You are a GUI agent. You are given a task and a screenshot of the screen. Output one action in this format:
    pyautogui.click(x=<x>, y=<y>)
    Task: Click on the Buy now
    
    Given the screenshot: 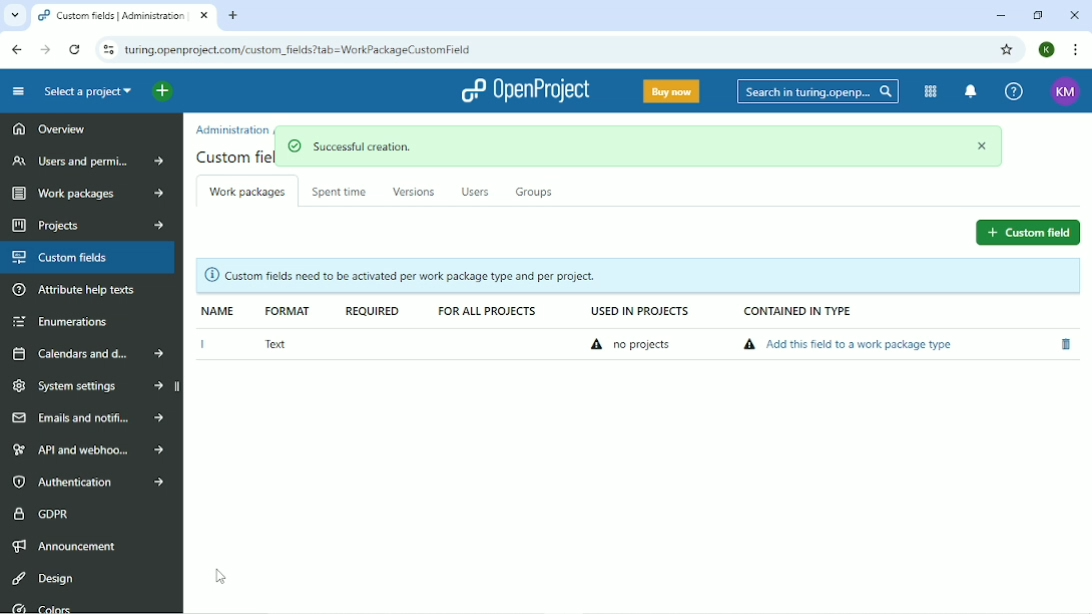 What is the action you would take?
    pyautogui.click(x=670, y=90)
    